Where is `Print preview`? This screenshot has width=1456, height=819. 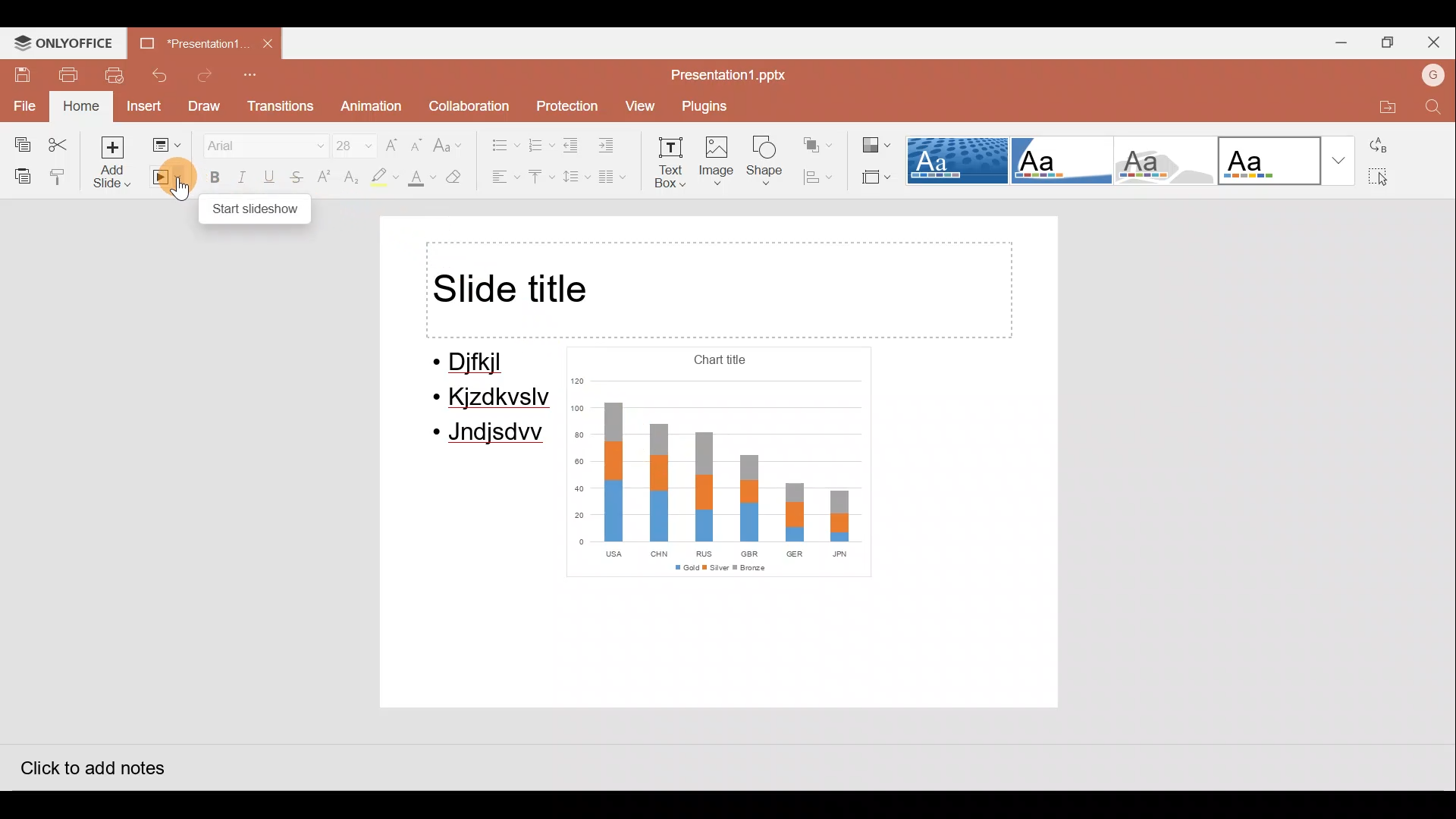 Print preview is located at coordinates (106, 76).